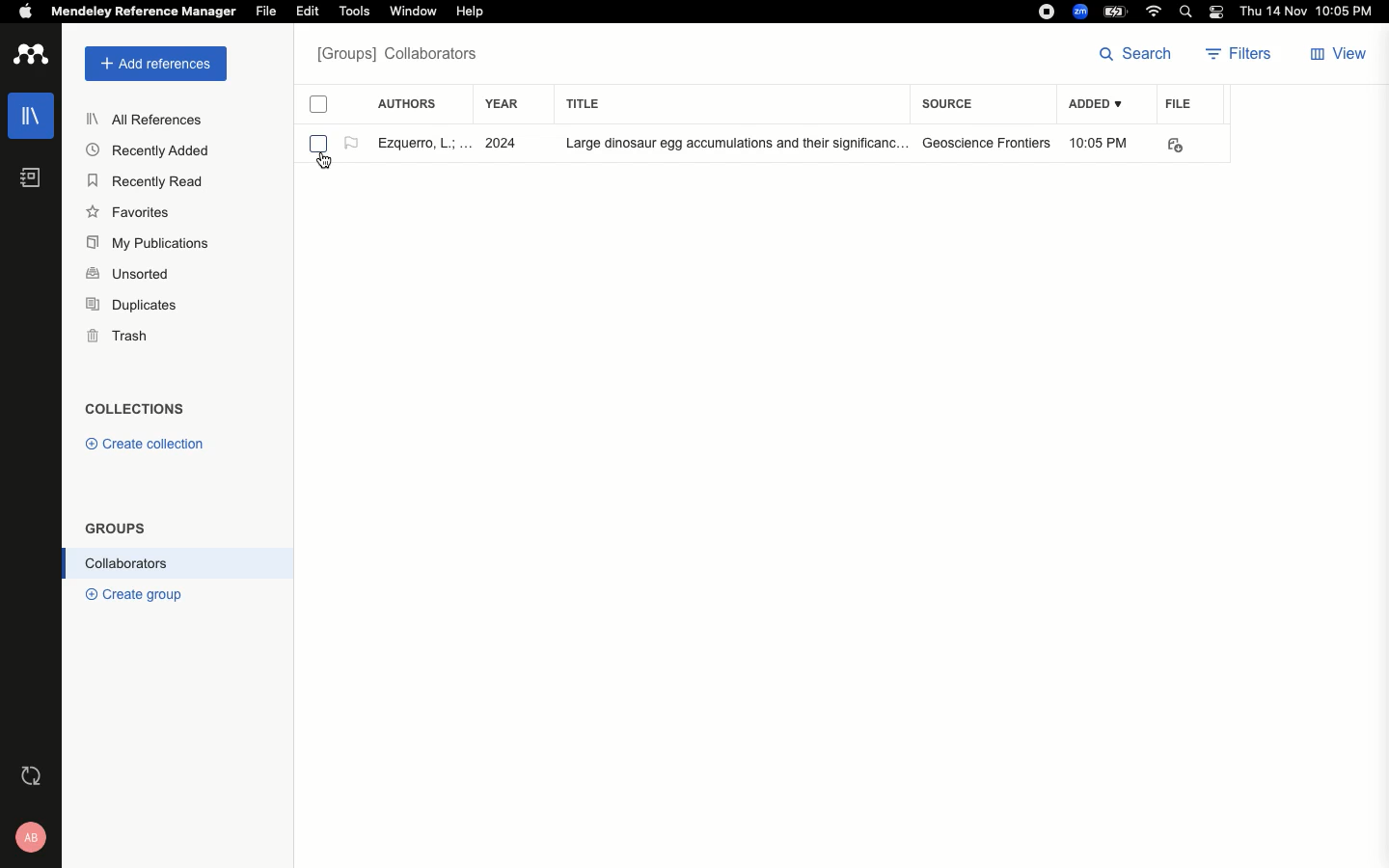 The width and height of the screenshot is (1389, 868). I want to click on Checkbox, so click(319, 108).